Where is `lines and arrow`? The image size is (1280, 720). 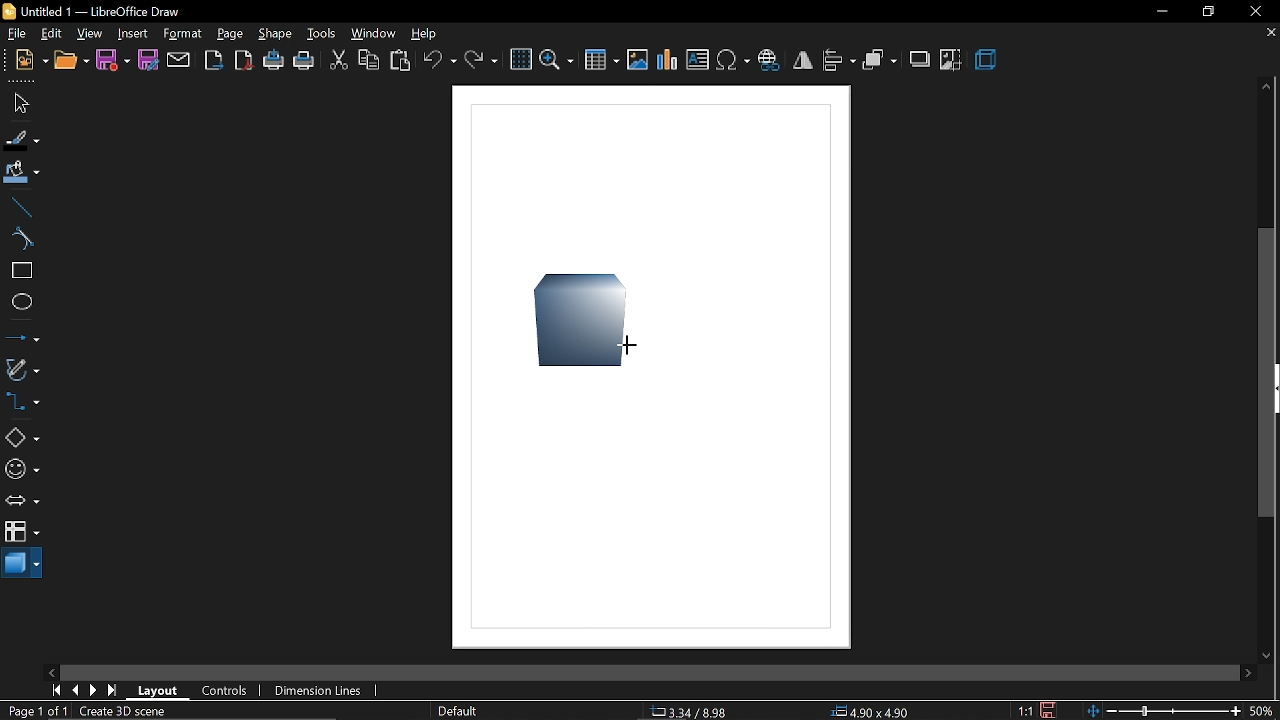 lines and arrow is located at coordinates (22, 337).